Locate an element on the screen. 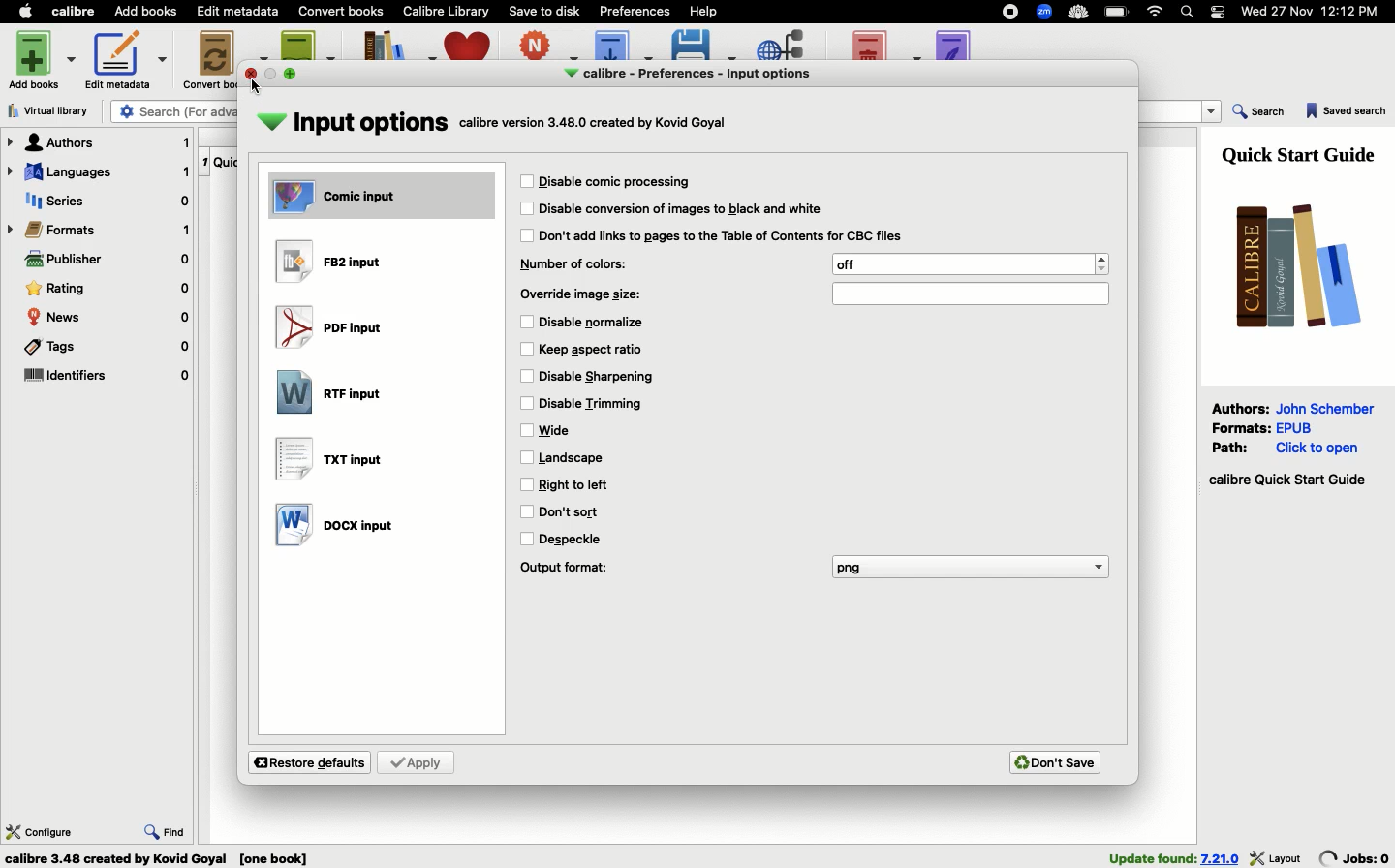  Bar is located at coordinates (970, 293).